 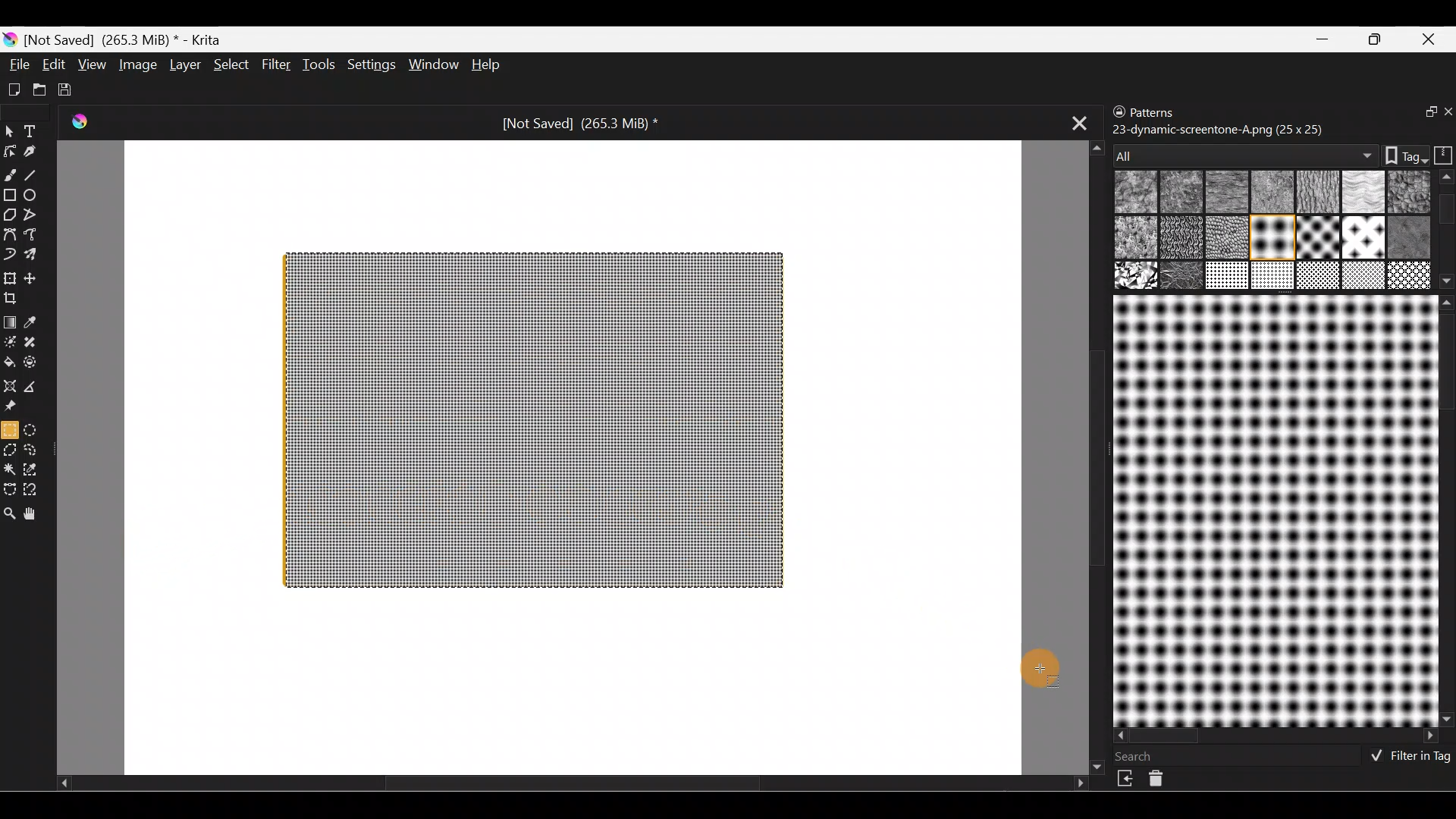 I want to click on Texture applied to rectangle, so click(x=534, y=419).